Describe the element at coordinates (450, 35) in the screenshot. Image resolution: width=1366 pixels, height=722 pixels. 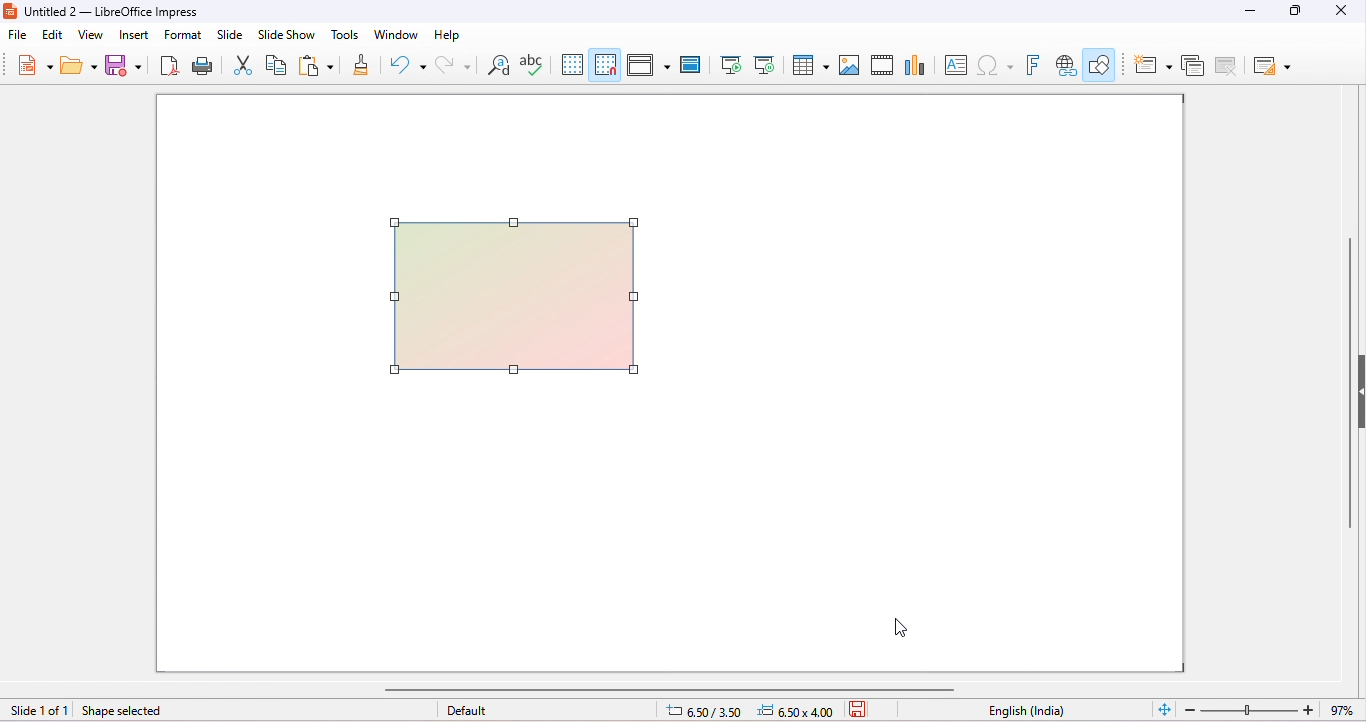
I see `help` at that location.